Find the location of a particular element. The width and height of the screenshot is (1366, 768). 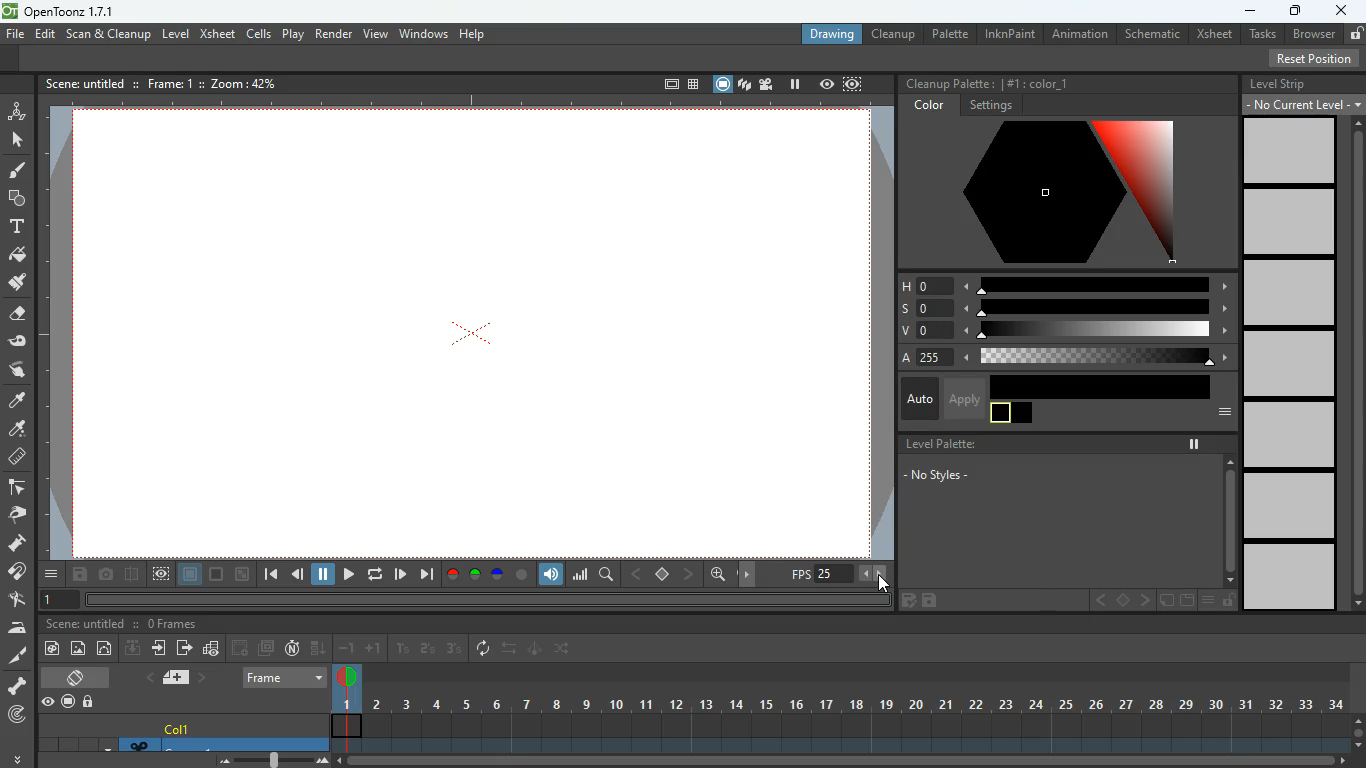

shapes is located at coordinates (16, 201).